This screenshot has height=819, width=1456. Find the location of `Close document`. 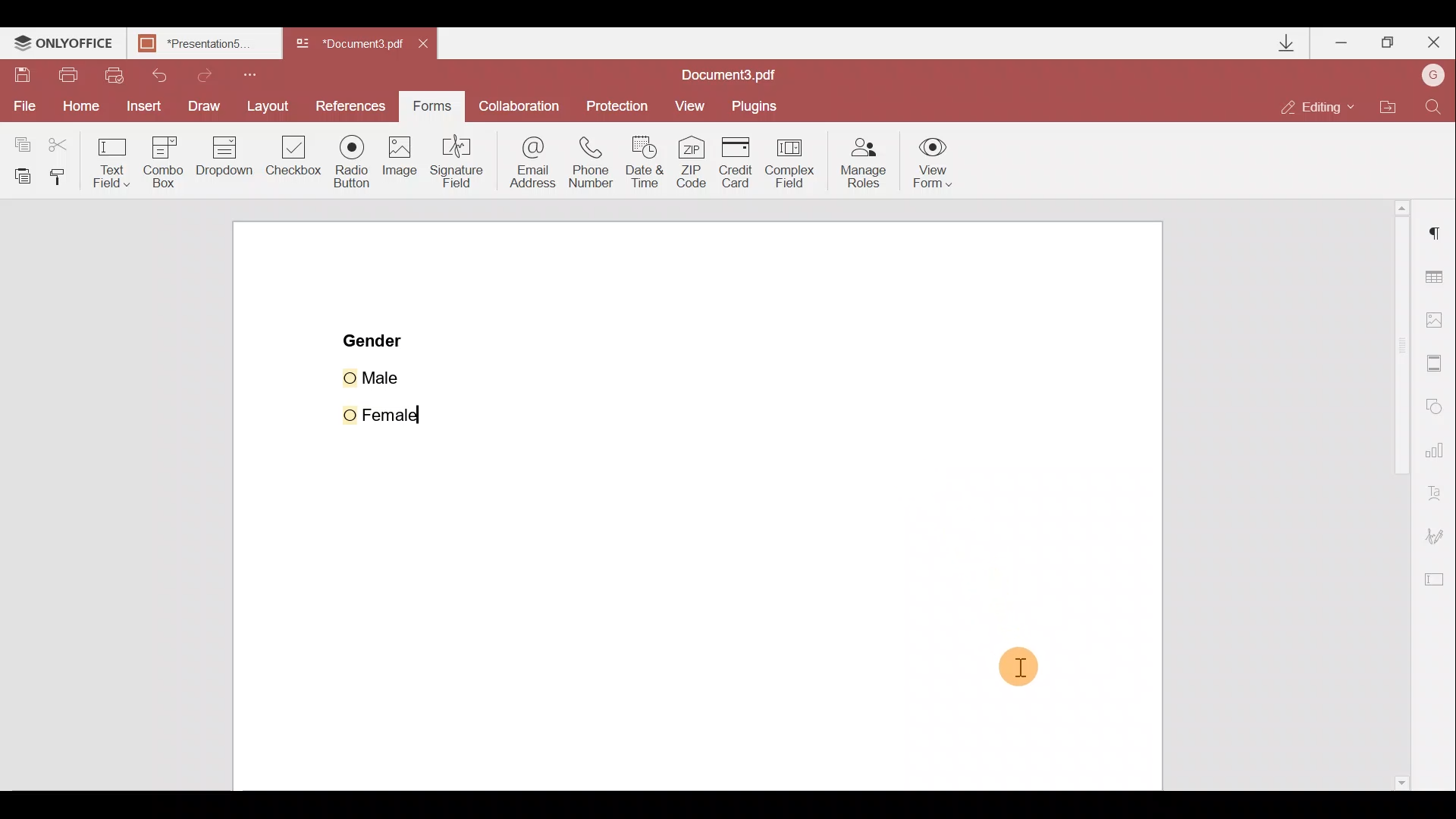

Close document is located at coordinates (427, 45).